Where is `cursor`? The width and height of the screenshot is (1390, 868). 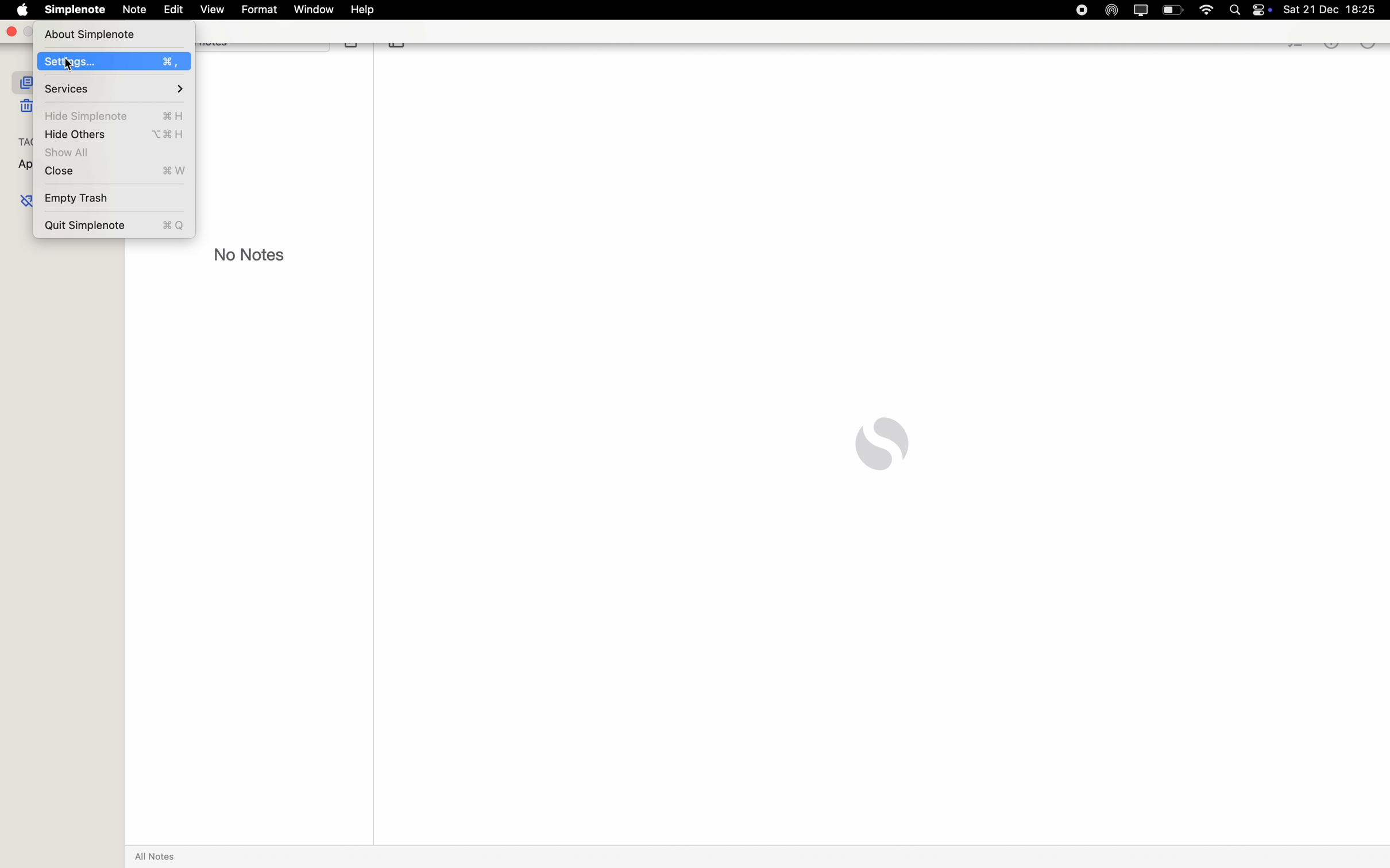
cursor is located at coordinates (71, 63).